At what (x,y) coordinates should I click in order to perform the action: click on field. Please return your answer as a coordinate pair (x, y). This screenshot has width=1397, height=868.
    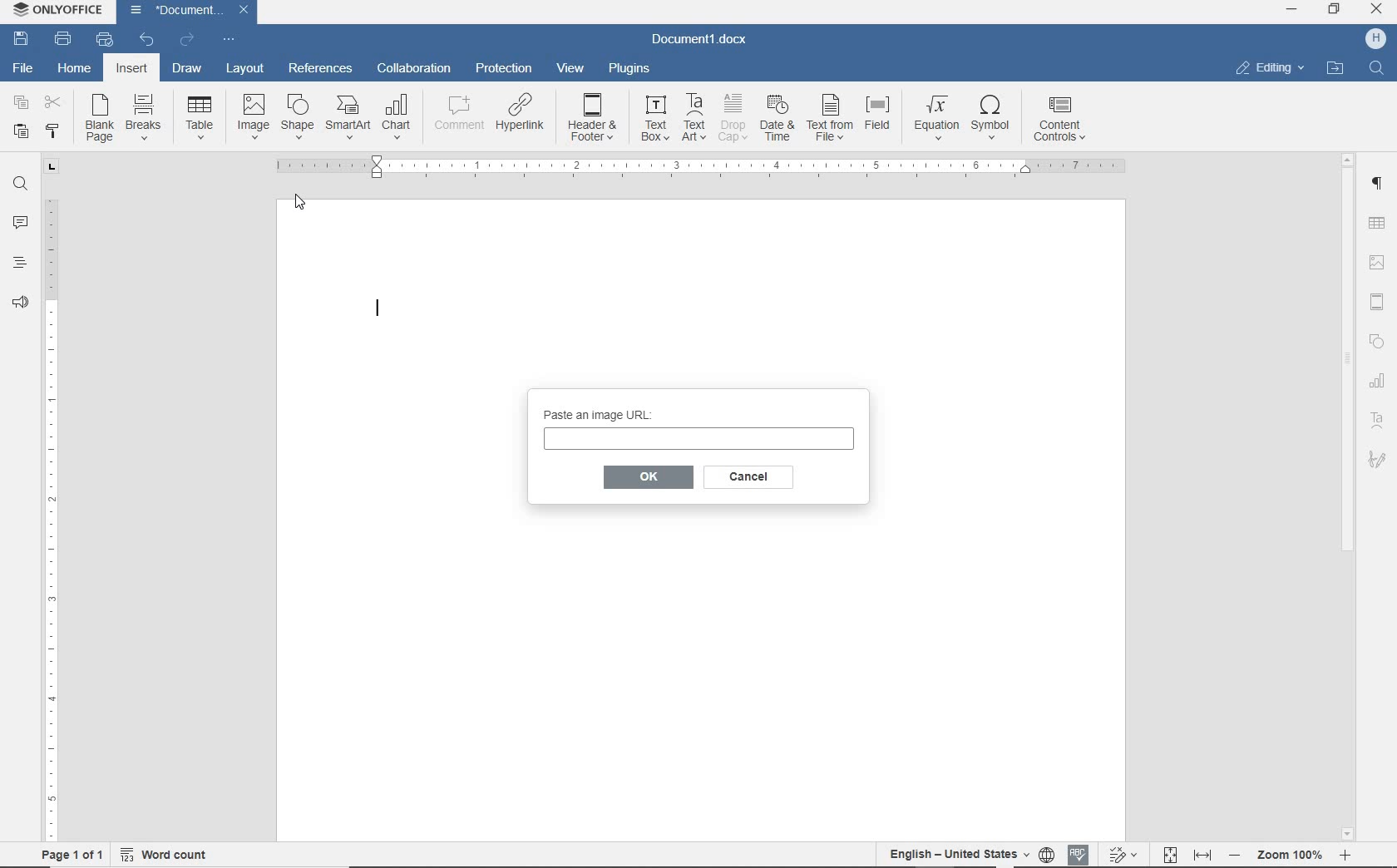
    Looking at the image, I should click on (881, 118).